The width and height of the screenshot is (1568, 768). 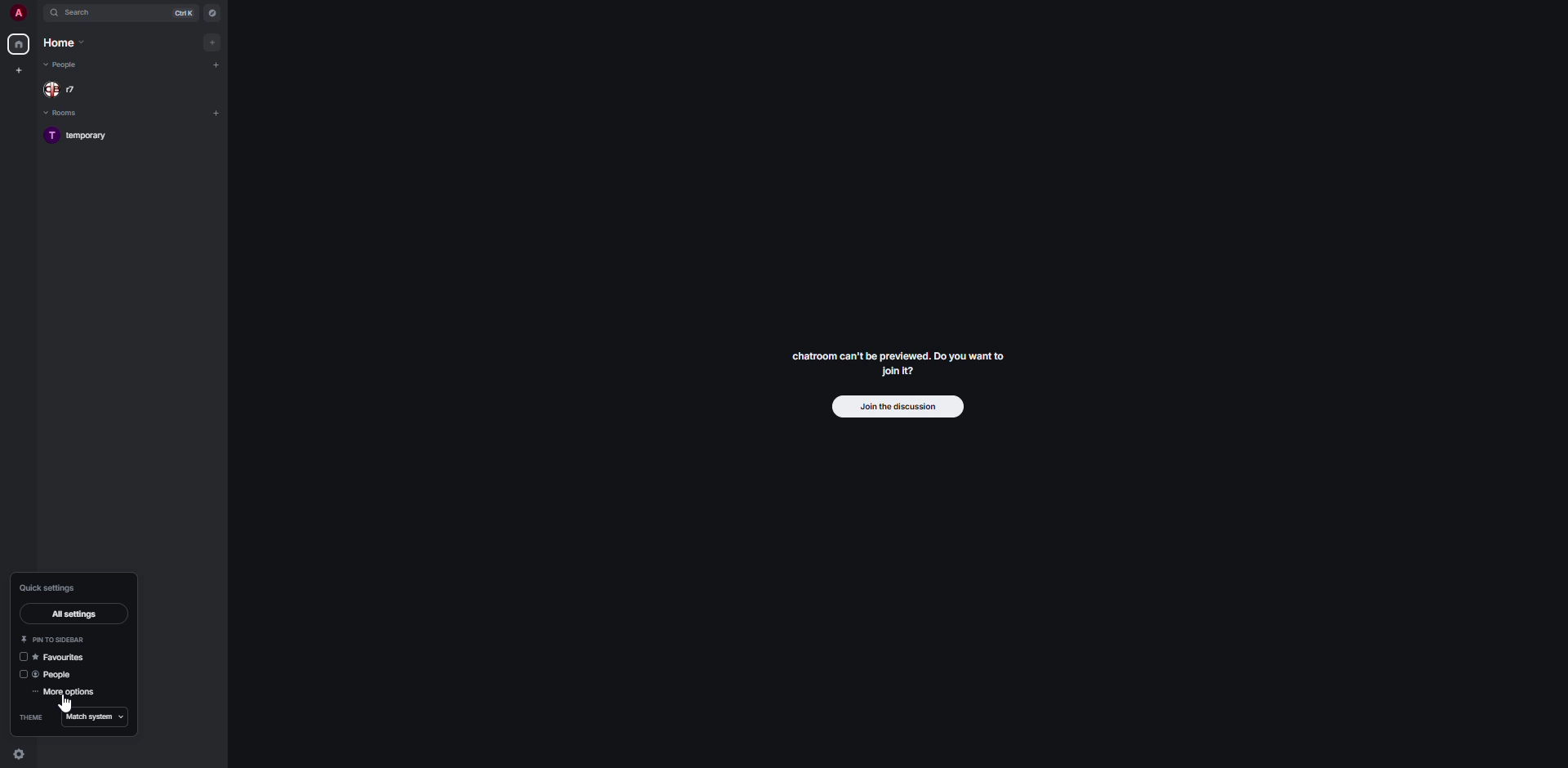 I want to click on profile, so click(x=15, y=12).